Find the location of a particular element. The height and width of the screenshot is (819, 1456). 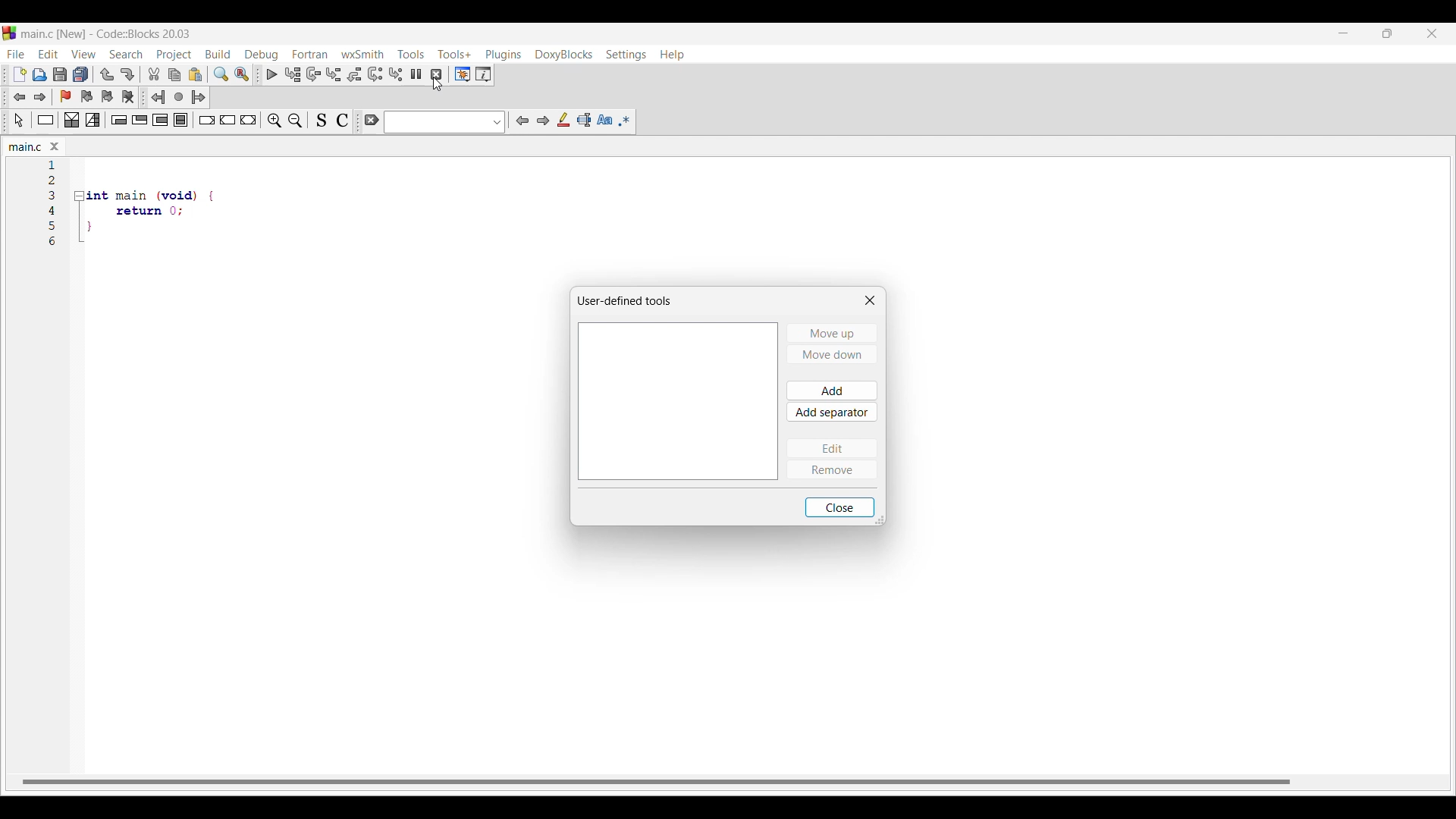

Block instruction is located at coordinates (181, 120).